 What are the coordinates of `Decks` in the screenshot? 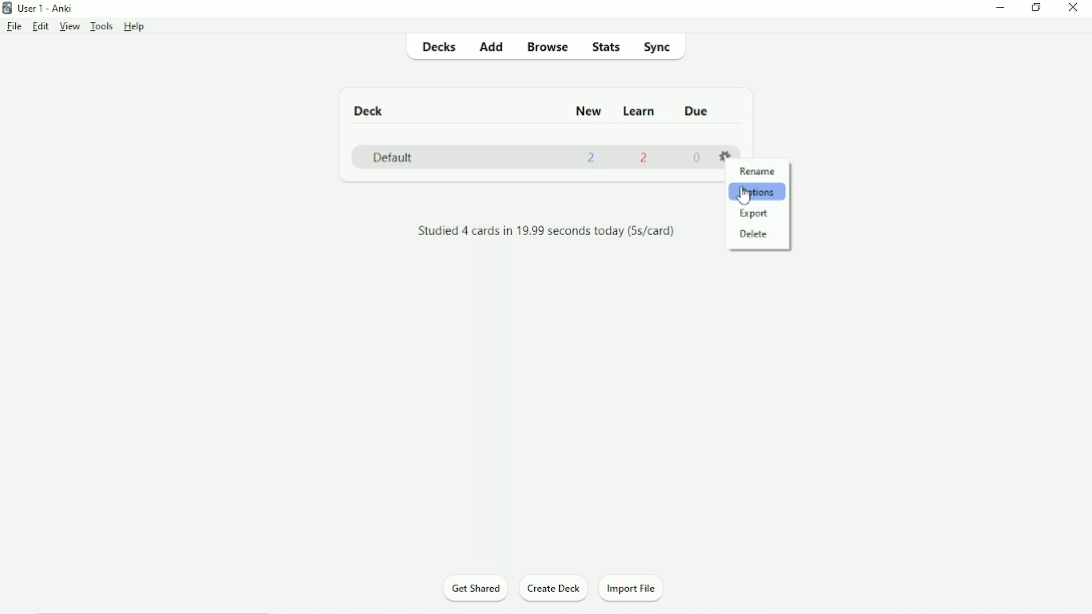 It's located at (432, 46).